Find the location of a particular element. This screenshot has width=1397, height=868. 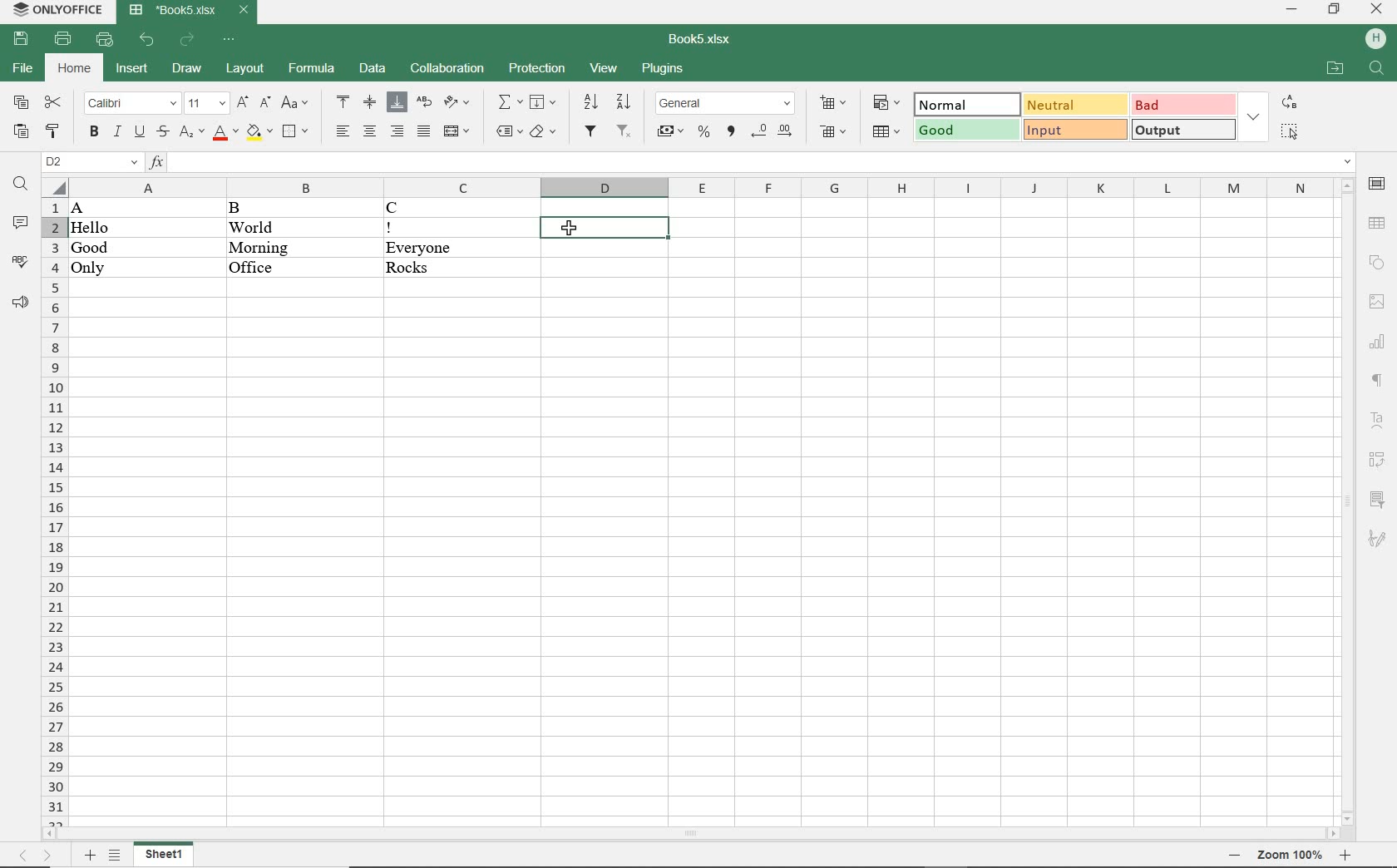

CLEAR is located at coordinates (543, 131).